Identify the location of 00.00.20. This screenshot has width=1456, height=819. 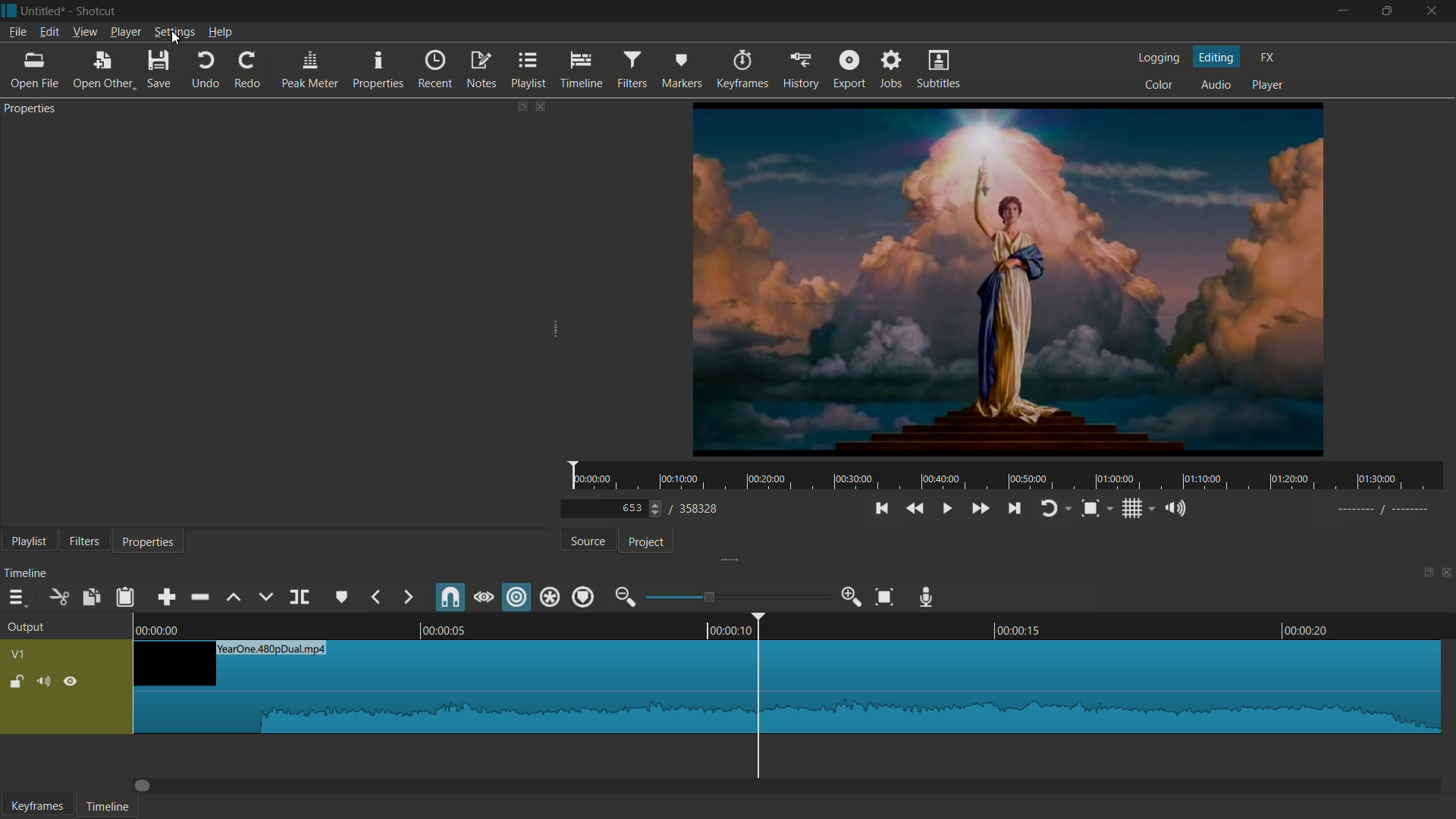
(1306, 628).